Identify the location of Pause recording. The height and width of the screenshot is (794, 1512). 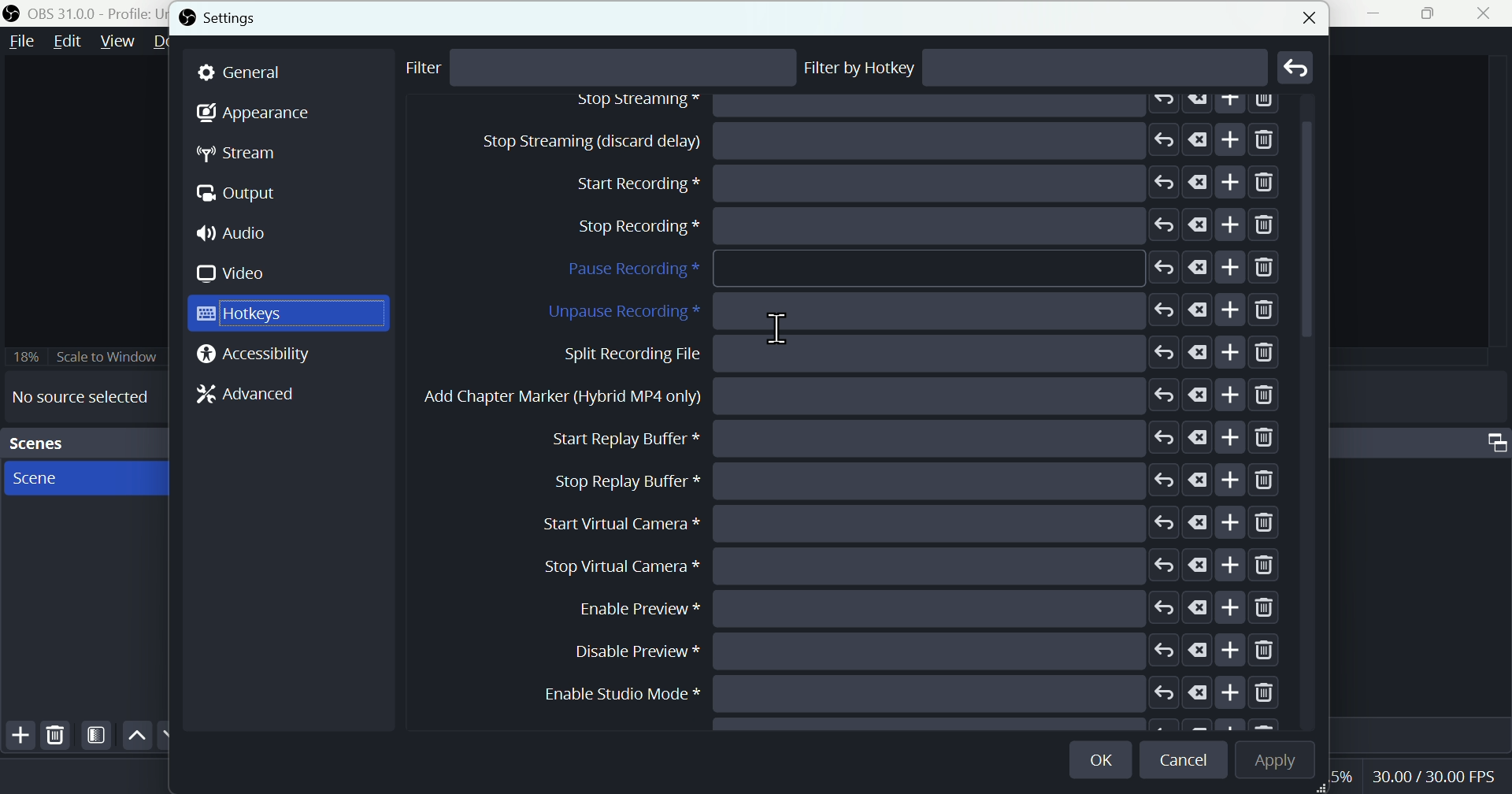
(902, 268).